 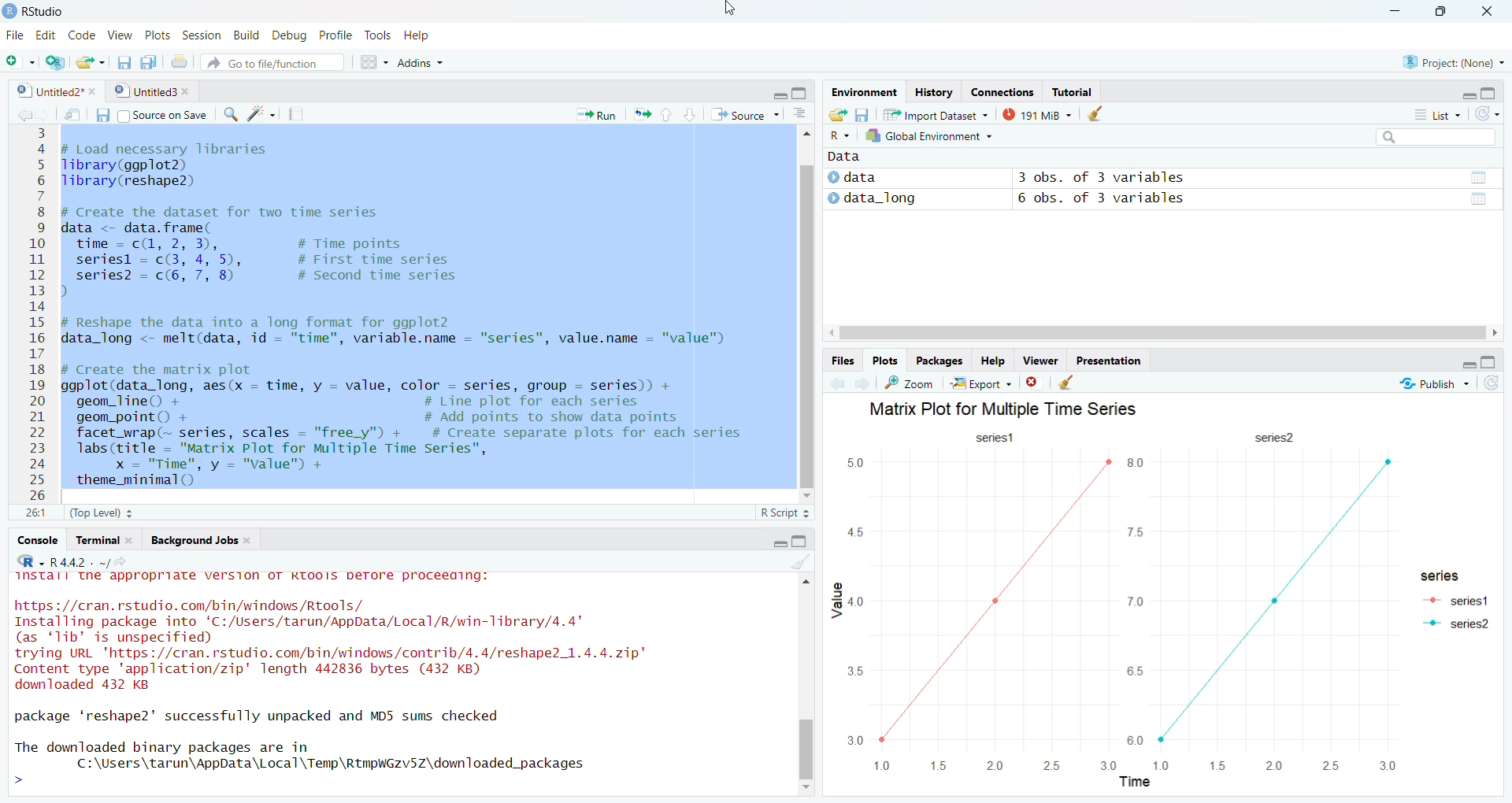 I want to click on Plots., so click(x=885, y=360).